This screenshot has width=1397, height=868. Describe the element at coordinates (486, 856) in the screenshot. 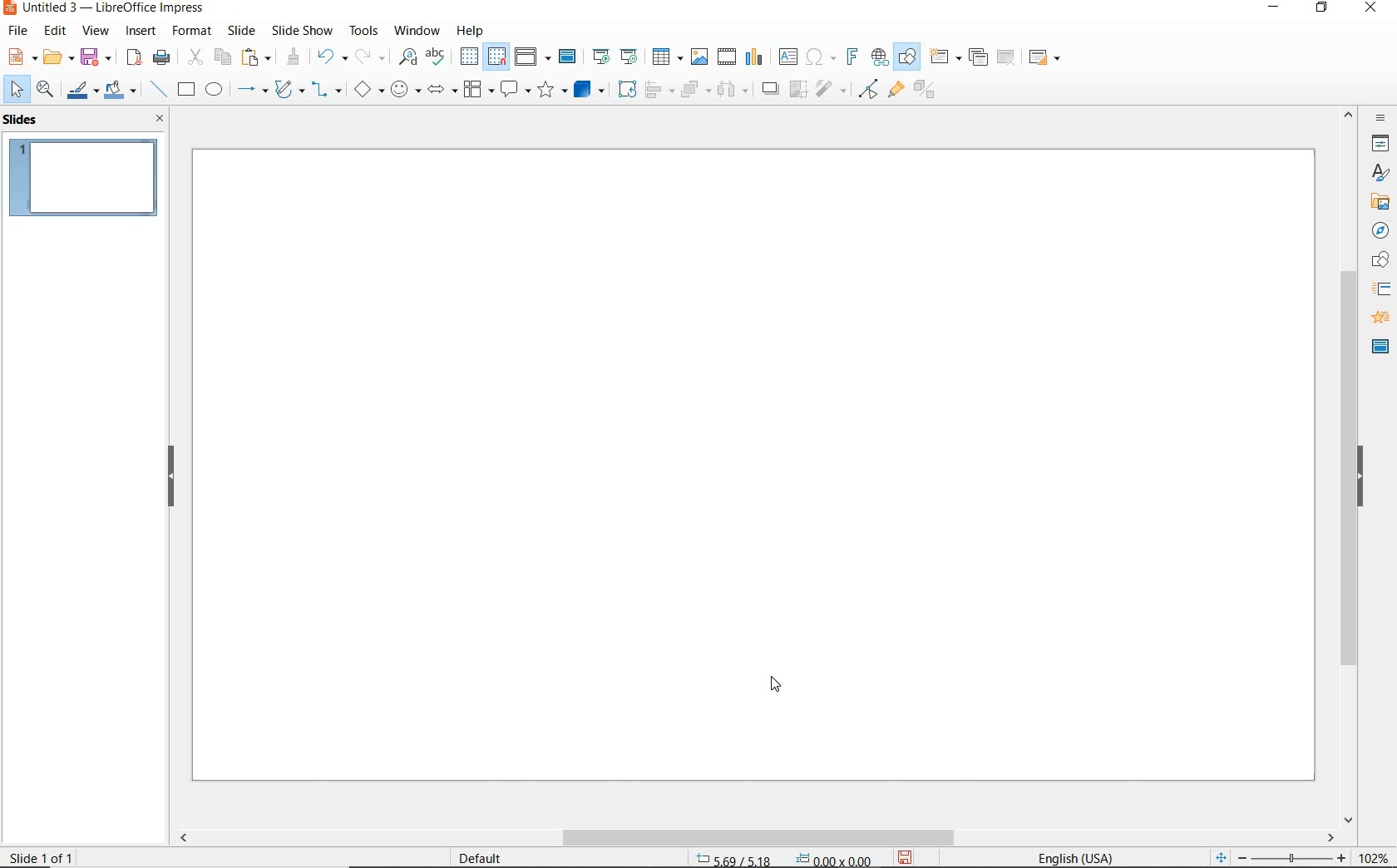

I see `DEFAULT` at that location.